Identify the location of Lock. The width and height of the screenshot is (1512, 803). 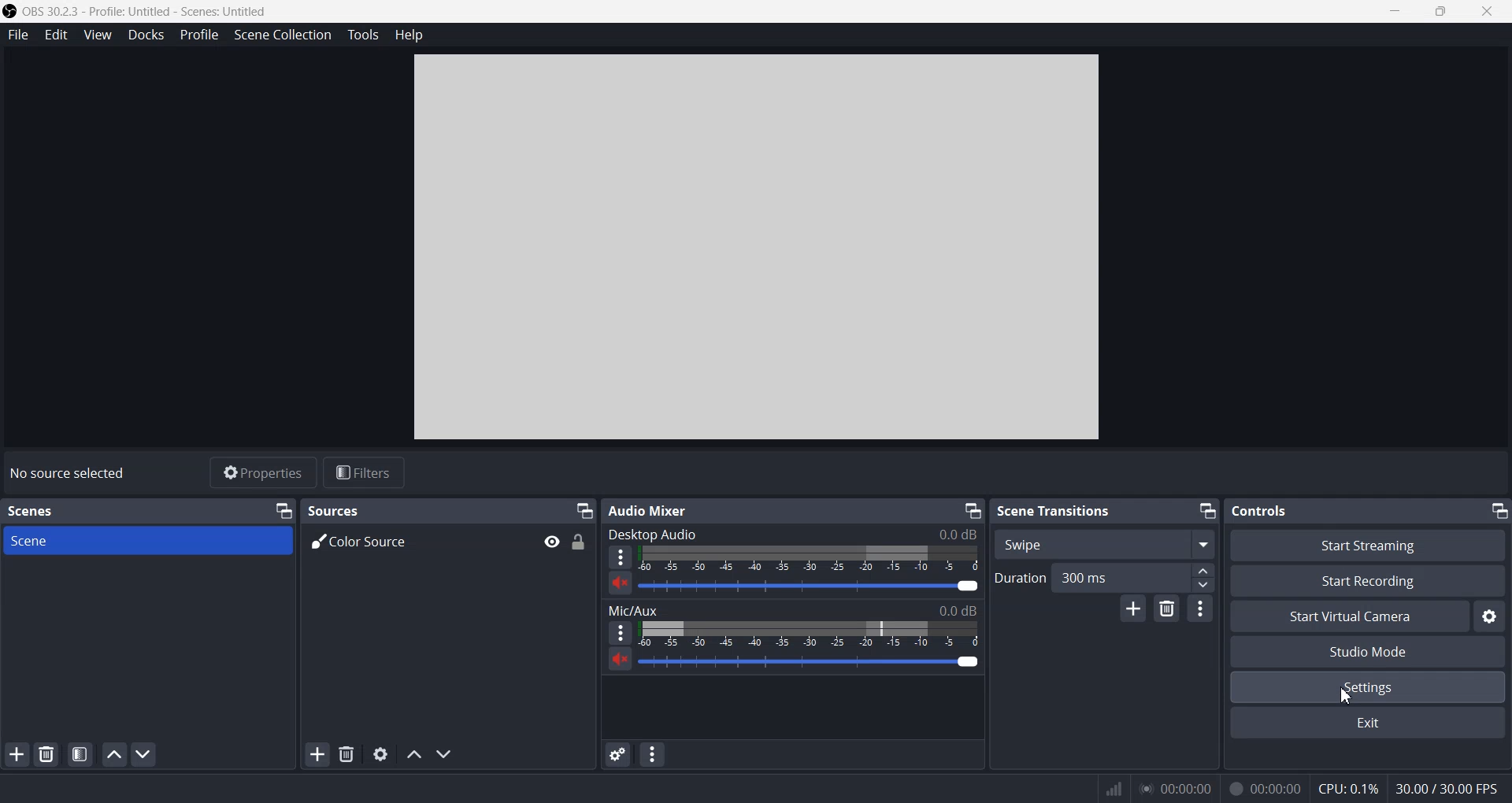
(580, 541).